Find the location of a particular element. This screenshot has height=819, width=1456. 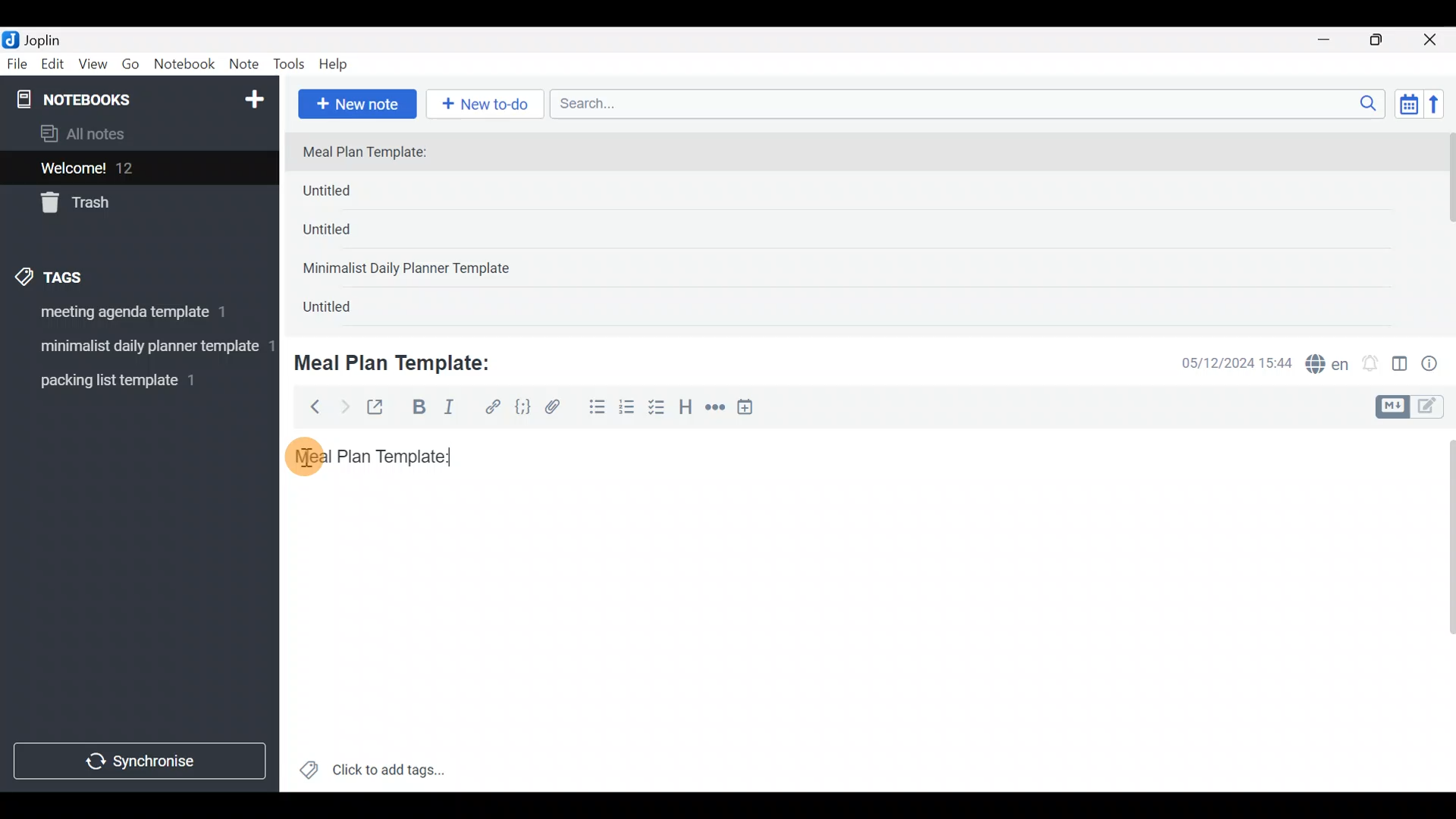

Scroll bar is located at coordinates (1440, 610).